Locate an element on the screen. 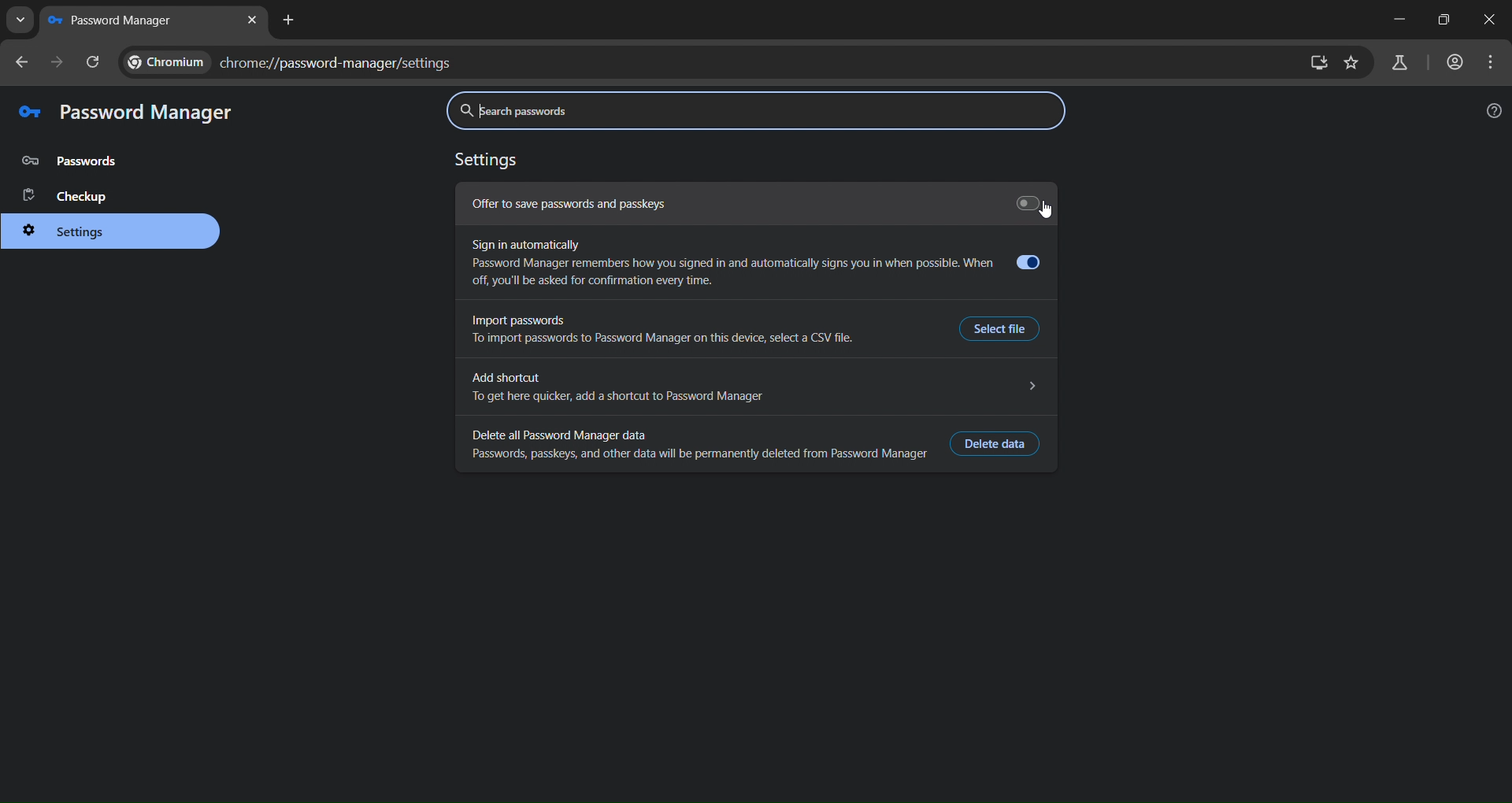 This screenshot has height=803, width=1512. bookmark page is located at coordinates (1352, 65).